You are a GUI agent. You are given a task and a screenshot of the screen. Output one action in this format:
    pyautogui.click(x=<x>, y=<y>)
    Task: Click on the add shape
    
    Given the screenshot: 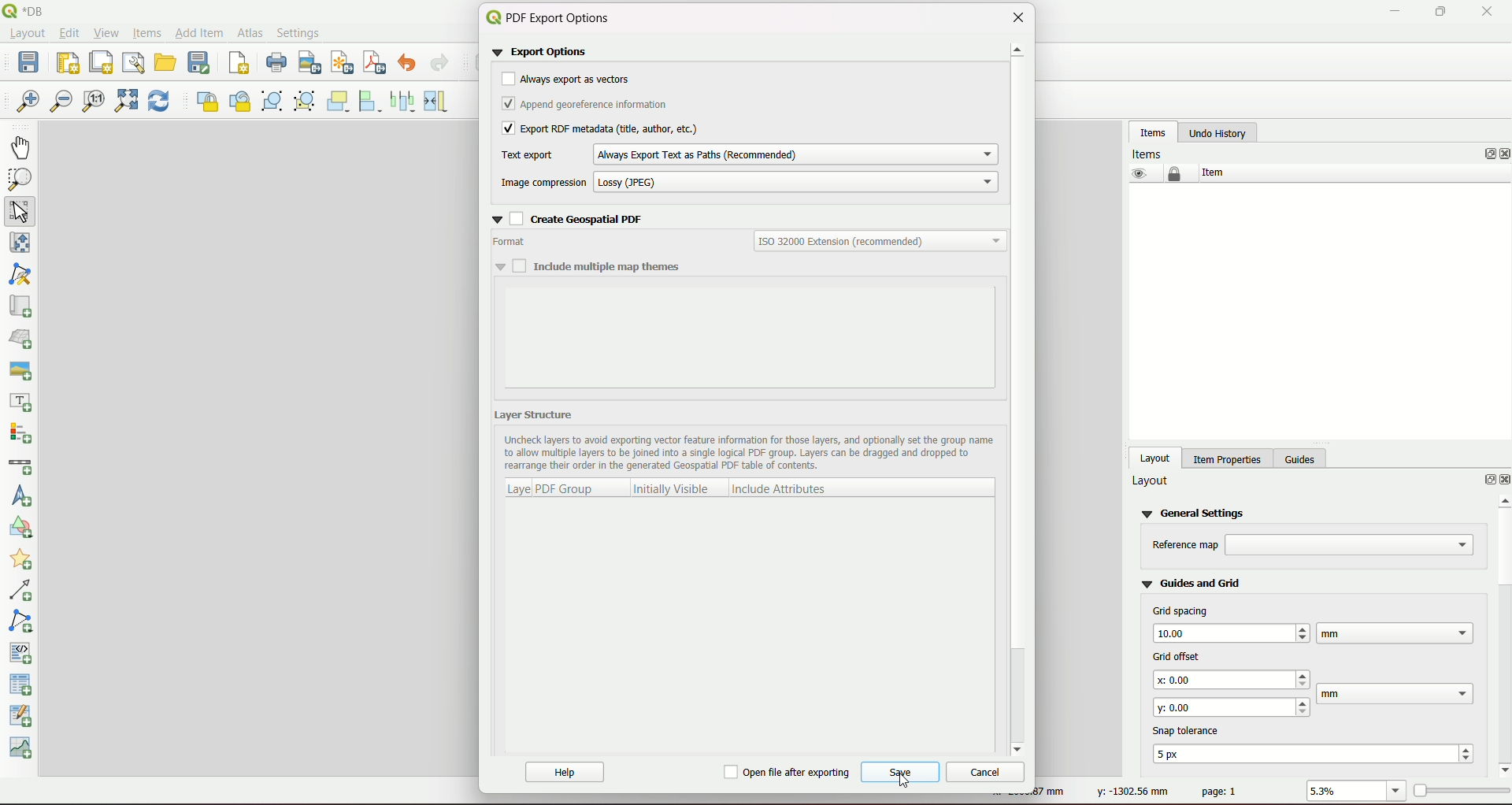 What is the action you would take?
    pyautogui.click(x=19, y=530)
    